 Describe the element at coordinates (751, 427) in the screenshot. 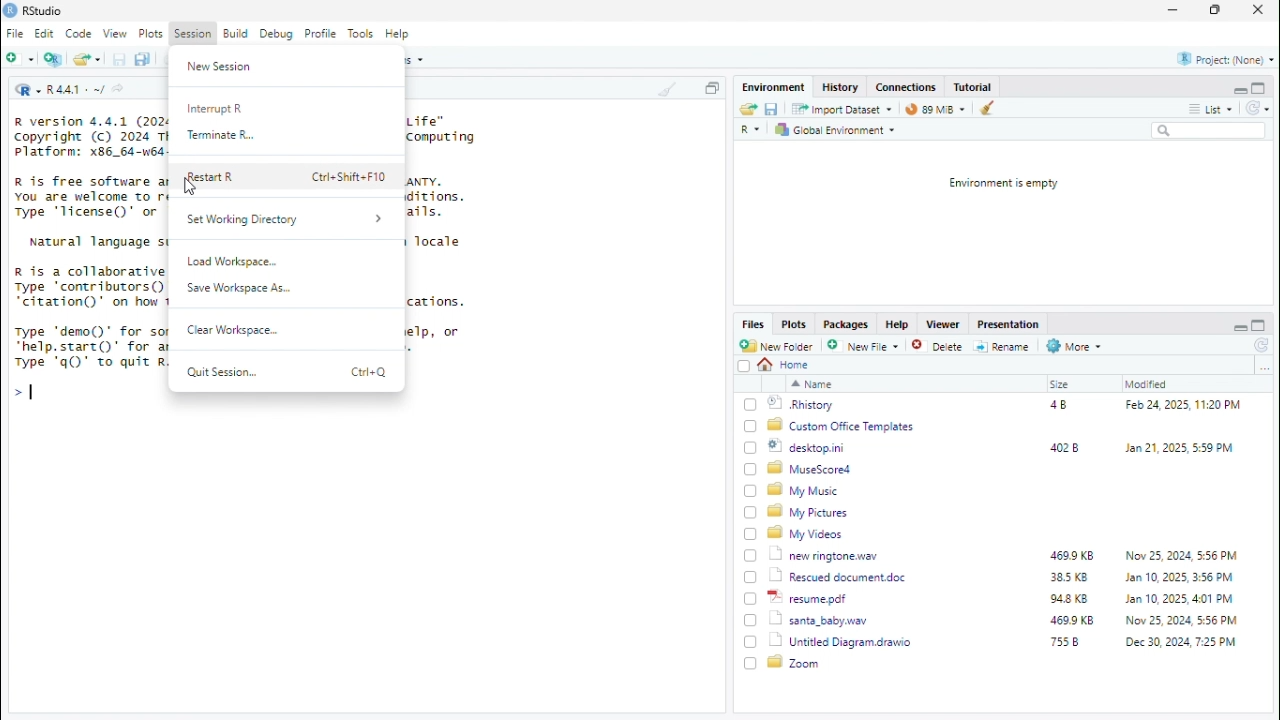

I see `Checkbox` at that location.